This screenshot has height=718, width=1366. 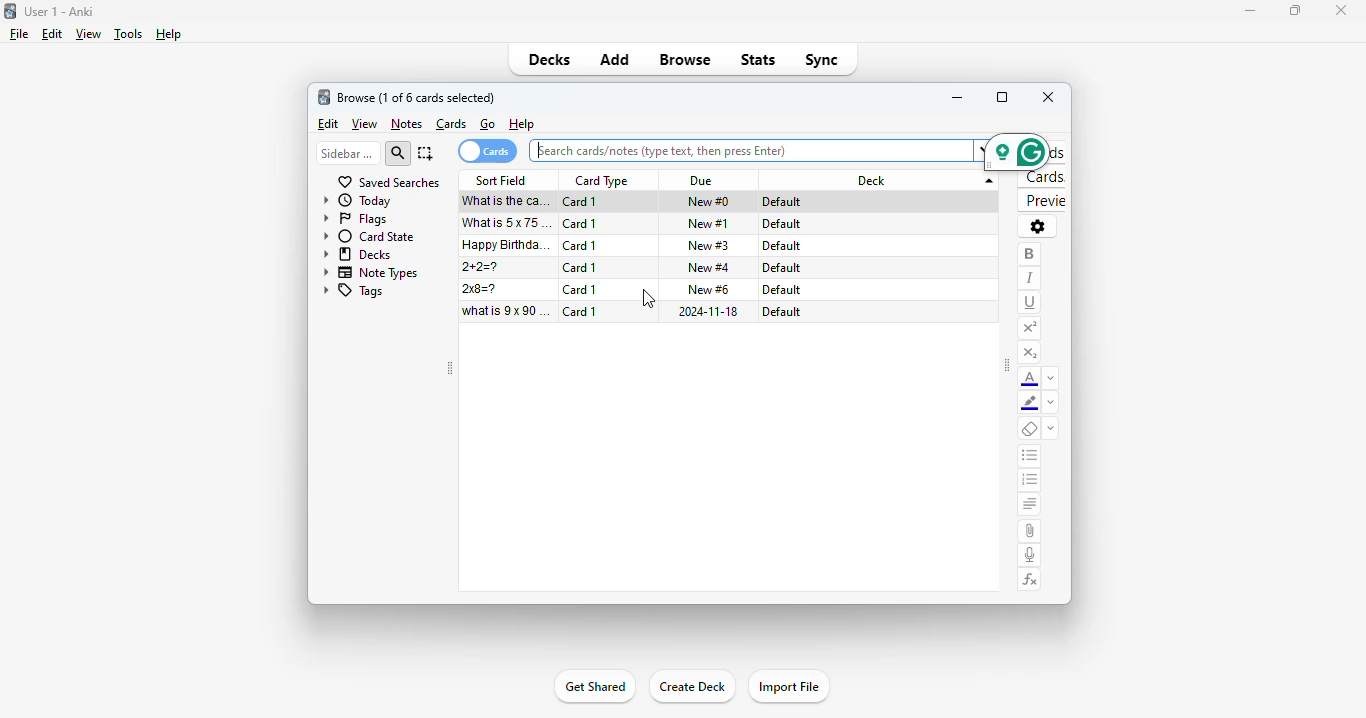 I want to click on italic, so click(x=1029, y=278).